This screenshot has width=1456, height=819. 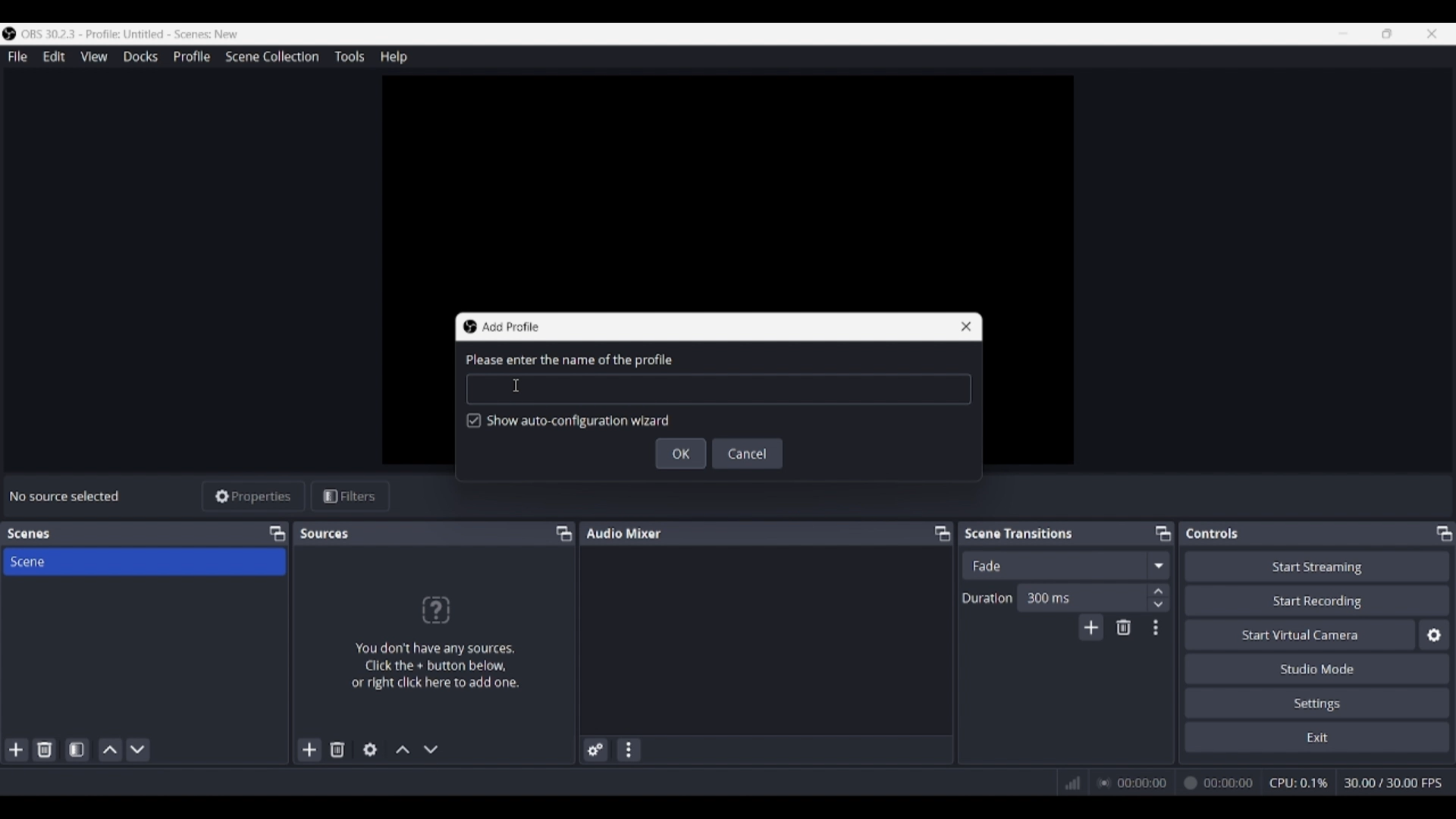 I want to click on Input duration, so click(x=1081, y=597).